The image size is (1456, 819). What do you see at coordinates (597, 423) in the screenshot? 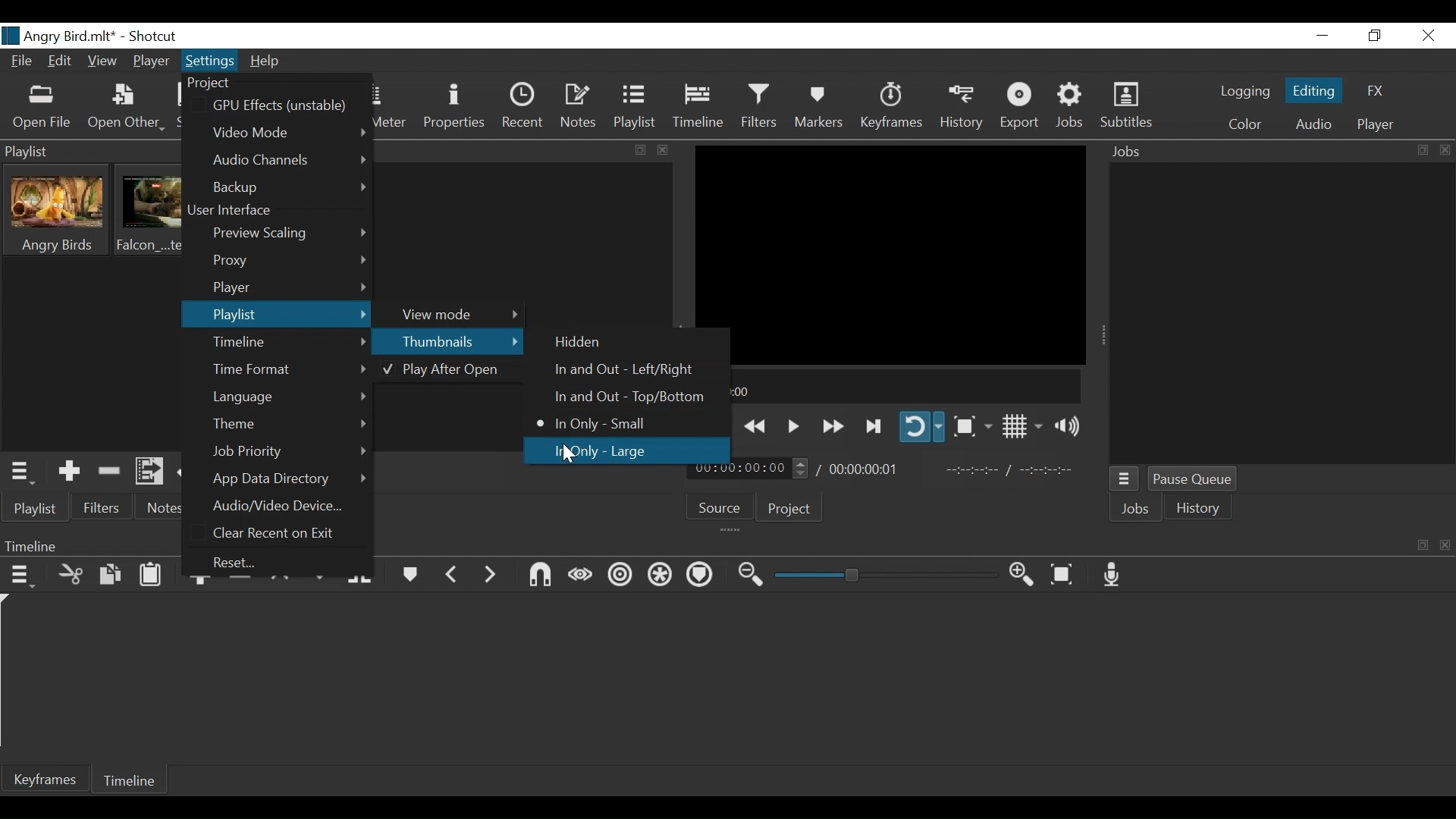
I see `In Only - Small` at bounding box center [597, 423].